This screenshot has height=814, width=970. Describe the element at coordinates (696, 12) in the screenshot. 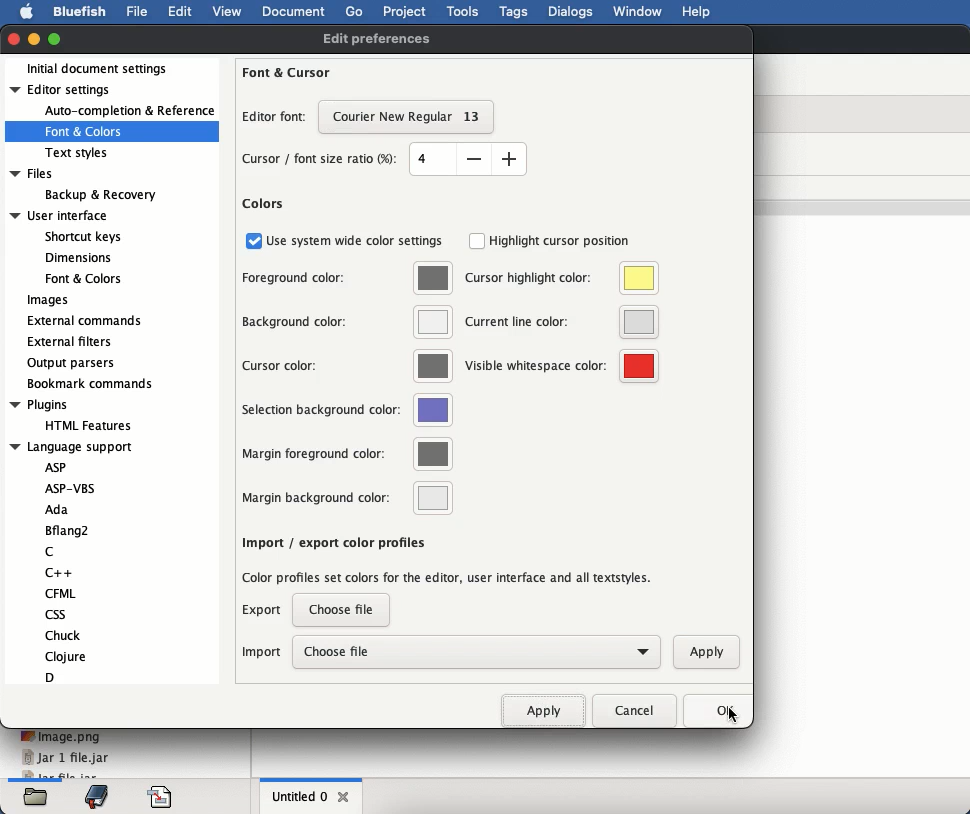

I see `help` at that location.